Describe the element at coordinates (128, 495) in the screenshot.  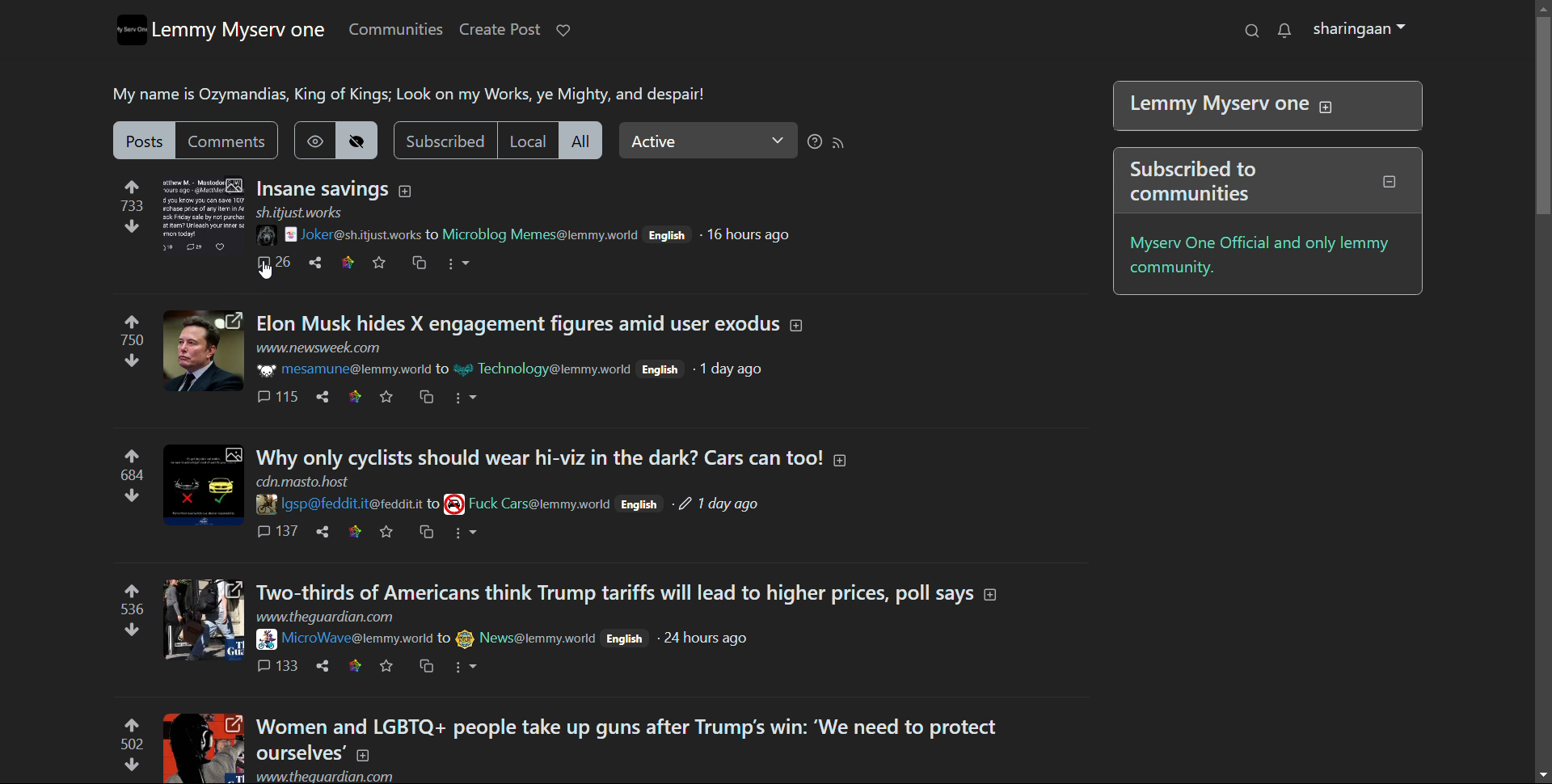
I see `downvotes` at that location.